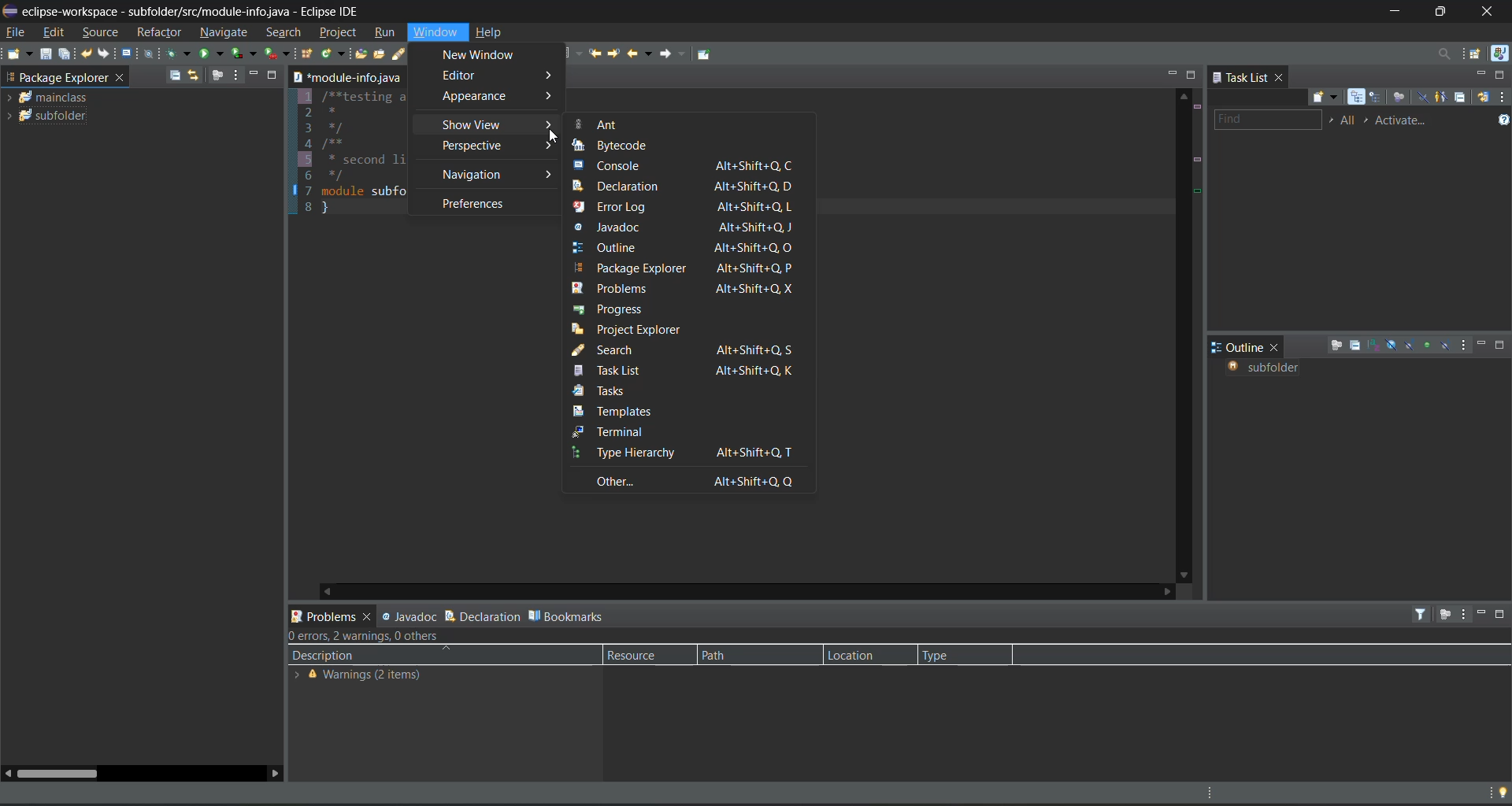 The height and width of the screenshot is (806, 1512). I want to click on activate, so click(1406, 121).